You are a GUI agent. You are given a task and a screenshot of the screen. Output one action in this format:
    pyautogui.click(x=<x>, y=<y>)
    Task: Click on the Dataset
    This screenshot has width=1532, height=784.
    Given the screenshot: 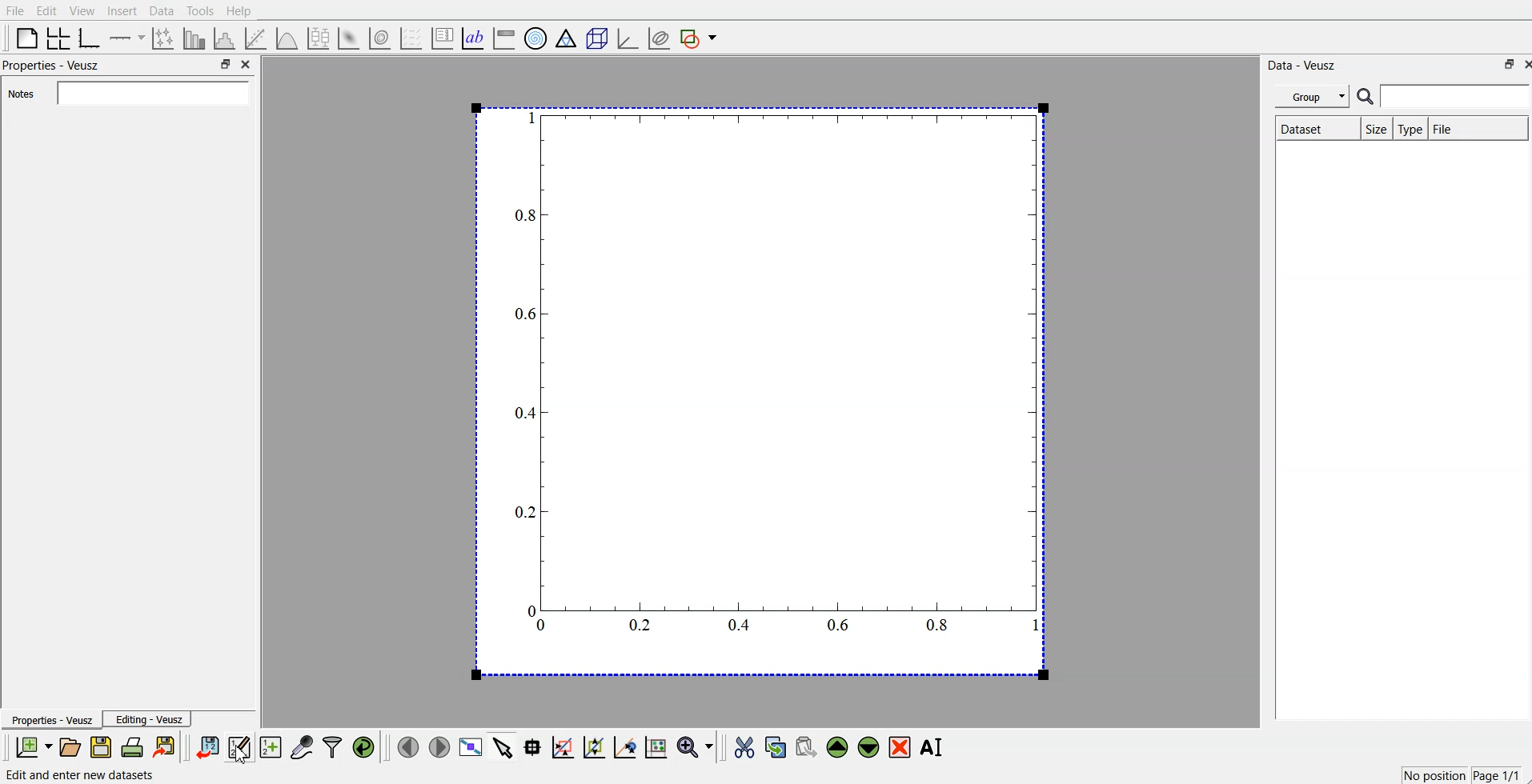 What is the action you would take?
    pyautogui.click(x=1301, y=127)
    